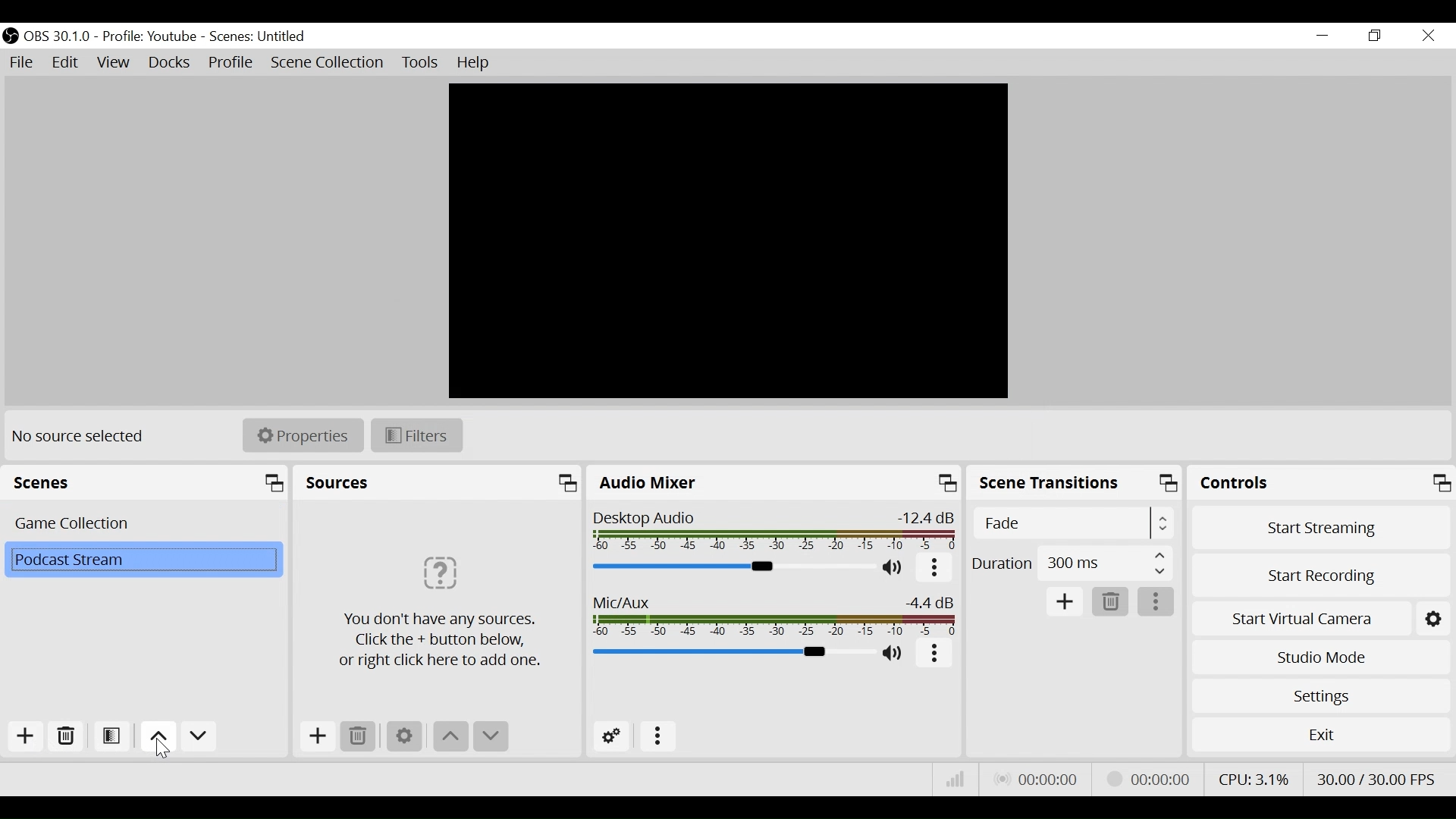  I want to click on Frame Per Second, so click(1380, 778).